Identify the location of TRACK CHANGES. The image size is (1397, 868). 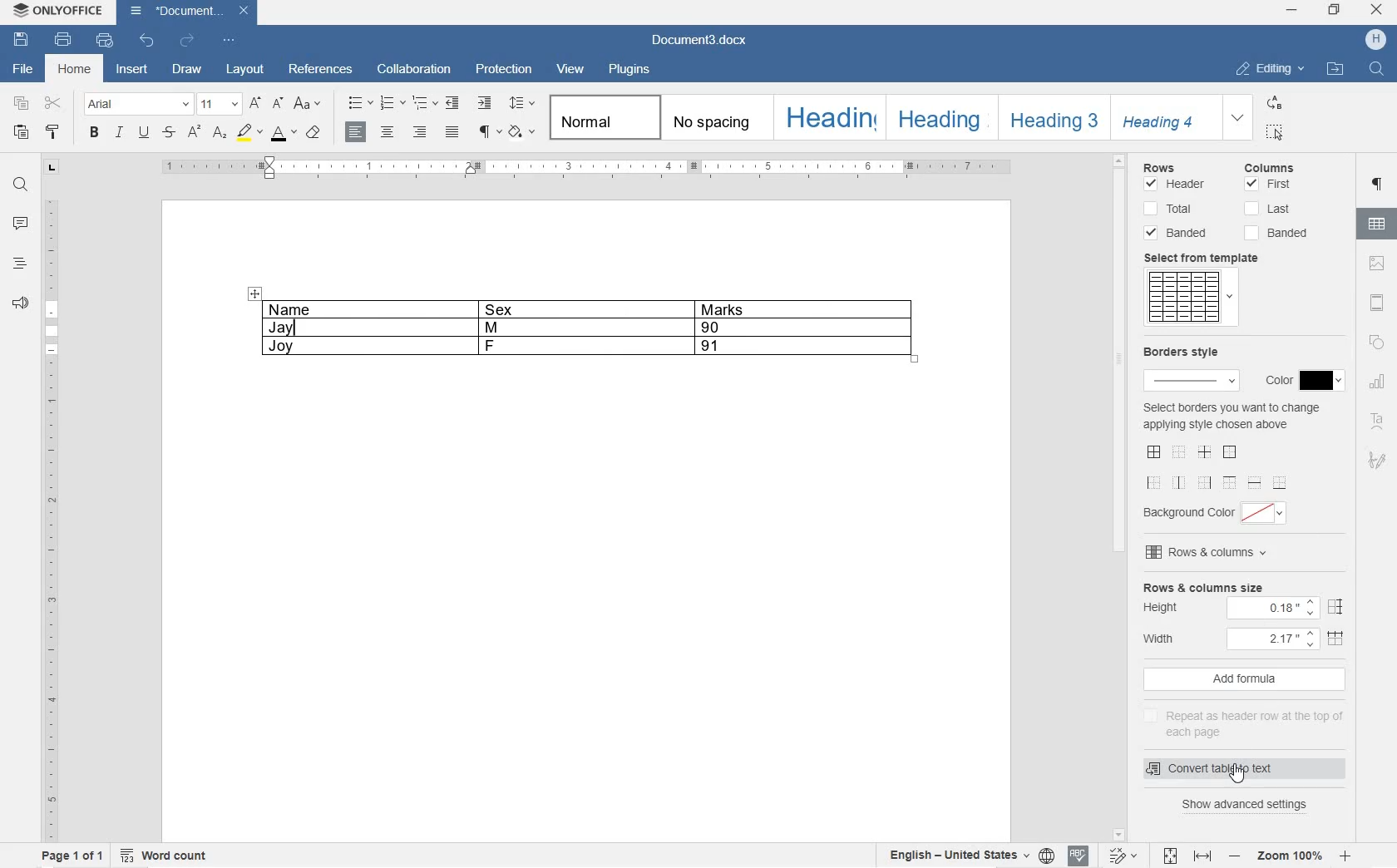
(1123, 855).